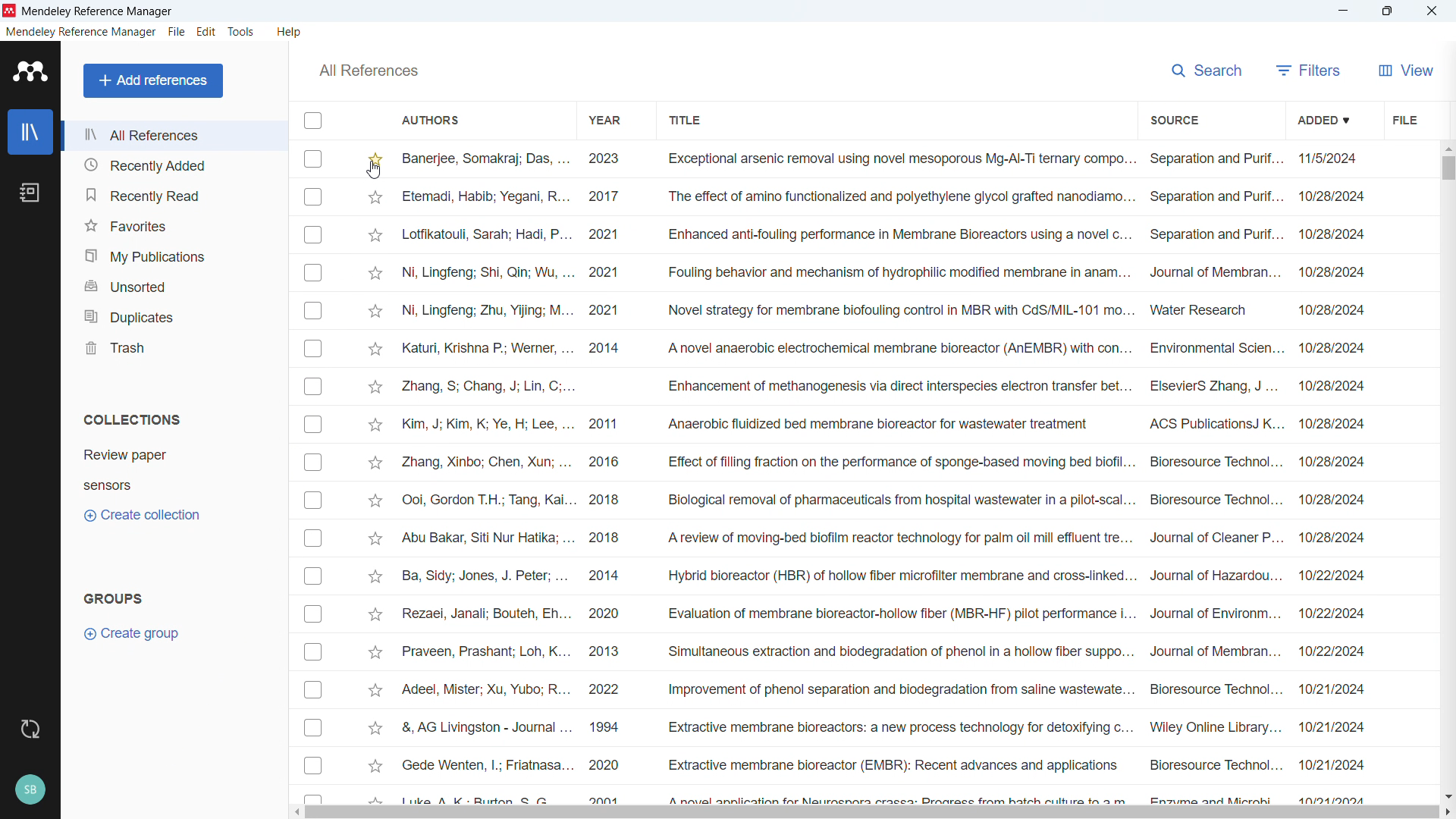 The height and width of the screenshot is (819, 1456). What do you see at coordinates (82, 32) in the screenshot?
I see `mendeley reference manager` at bounding box center [82, 32].